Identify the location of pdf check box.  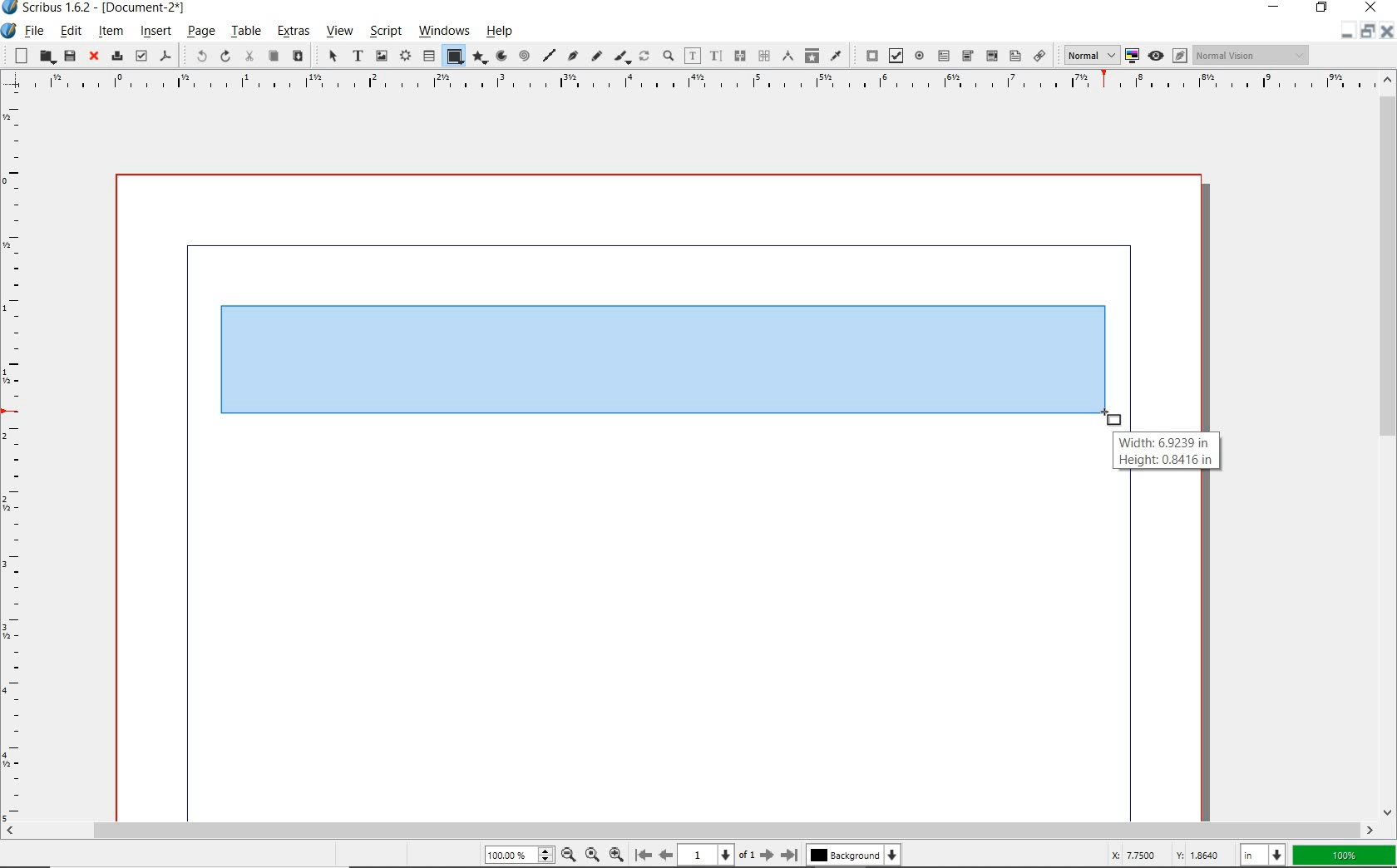
(893, 55).